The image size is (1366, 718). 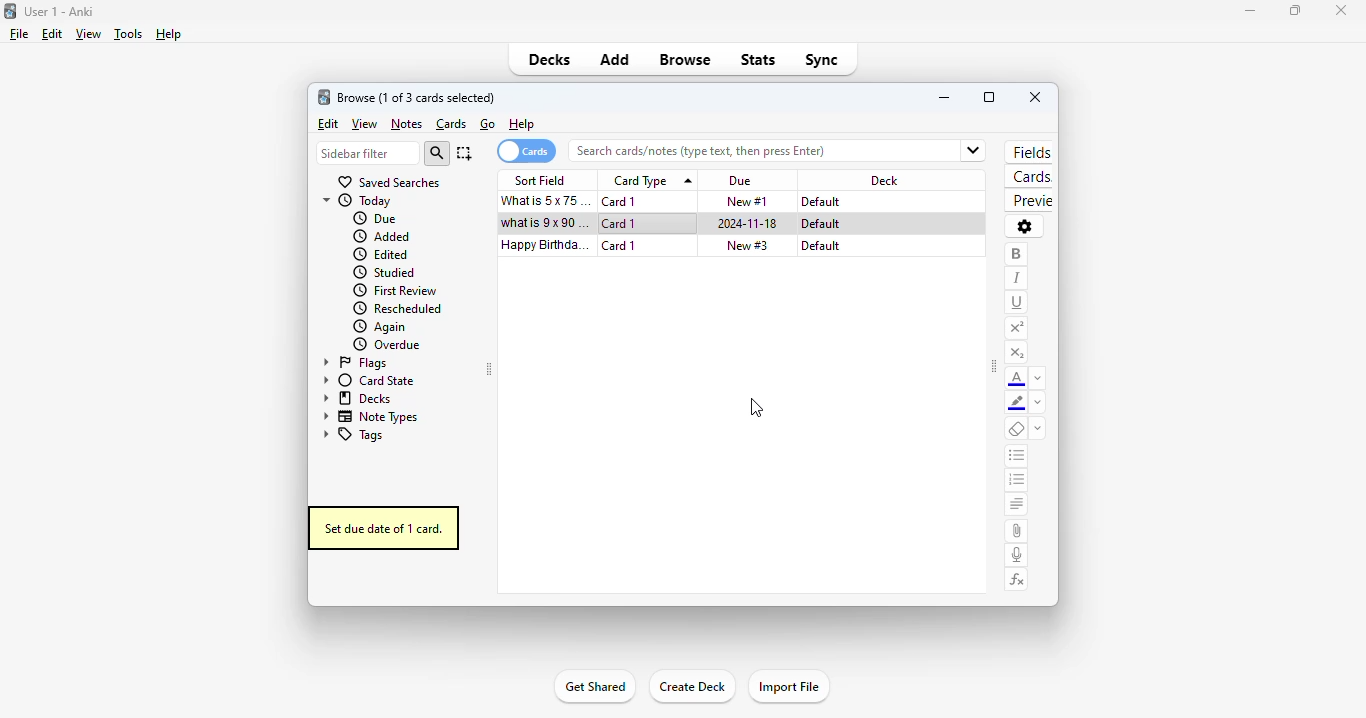 What do you see at coordinates (621, 224) in the screenshot?
I see `card 1` at bounding box center [621, 224].